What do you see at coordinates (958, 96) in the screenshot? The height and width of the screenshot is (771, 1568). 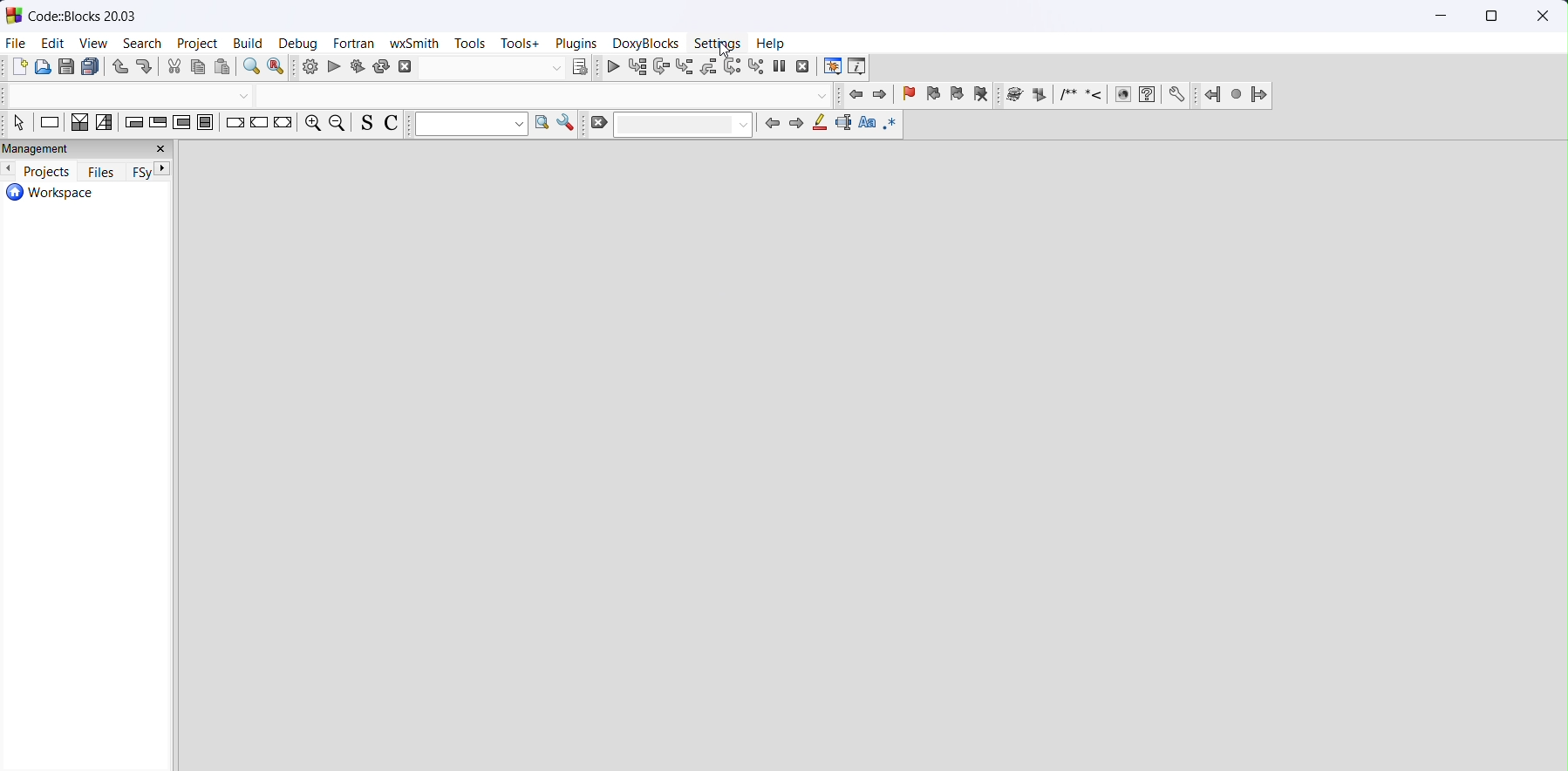 I see `next bookmark` at bounding box center [958, 96].